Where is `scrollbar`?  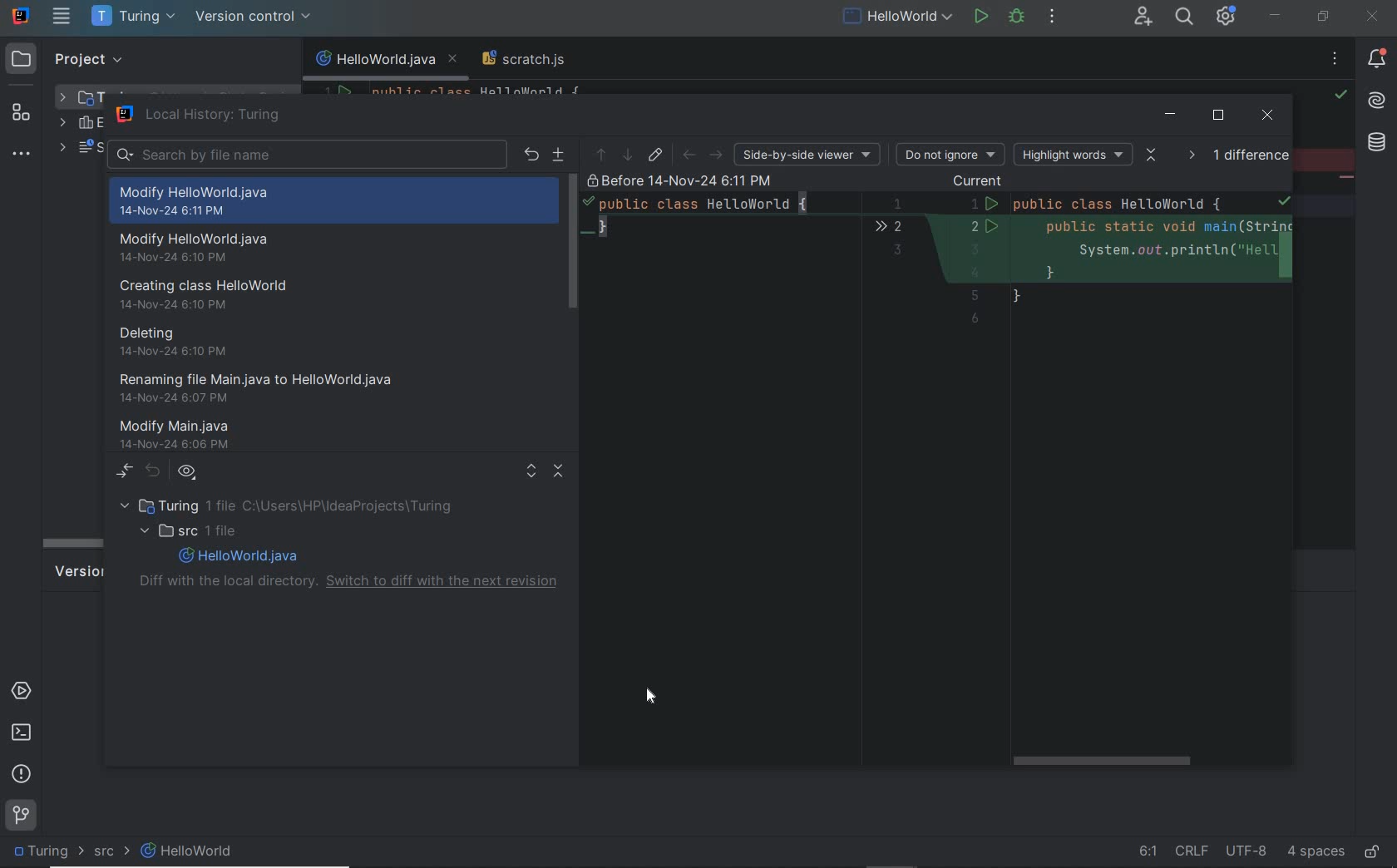 scrollbar is located at coordinates (571, 243).